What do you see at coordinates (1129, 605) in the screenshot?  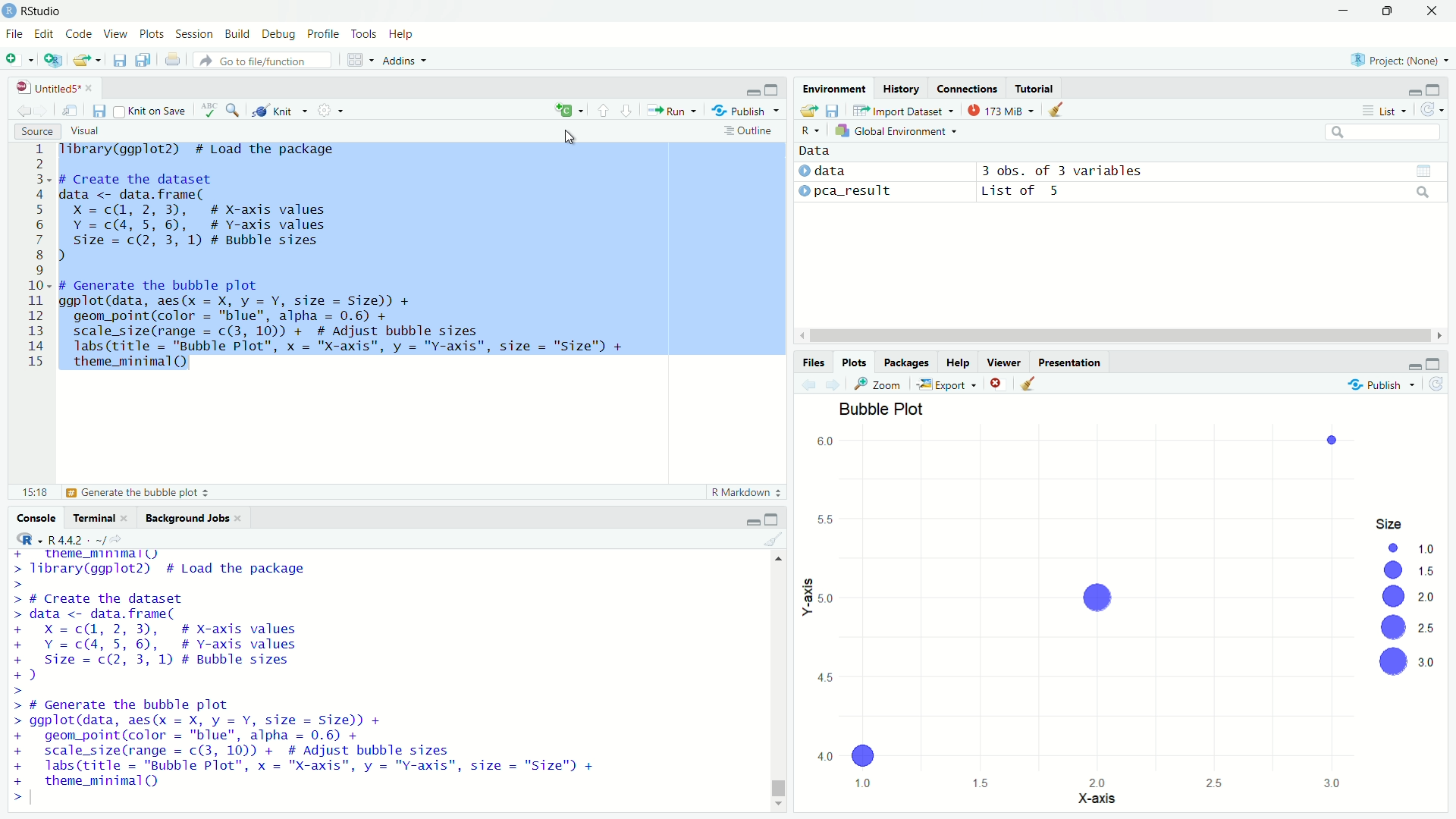 I see ` bubble plot` at bounding box center [1129, 605].